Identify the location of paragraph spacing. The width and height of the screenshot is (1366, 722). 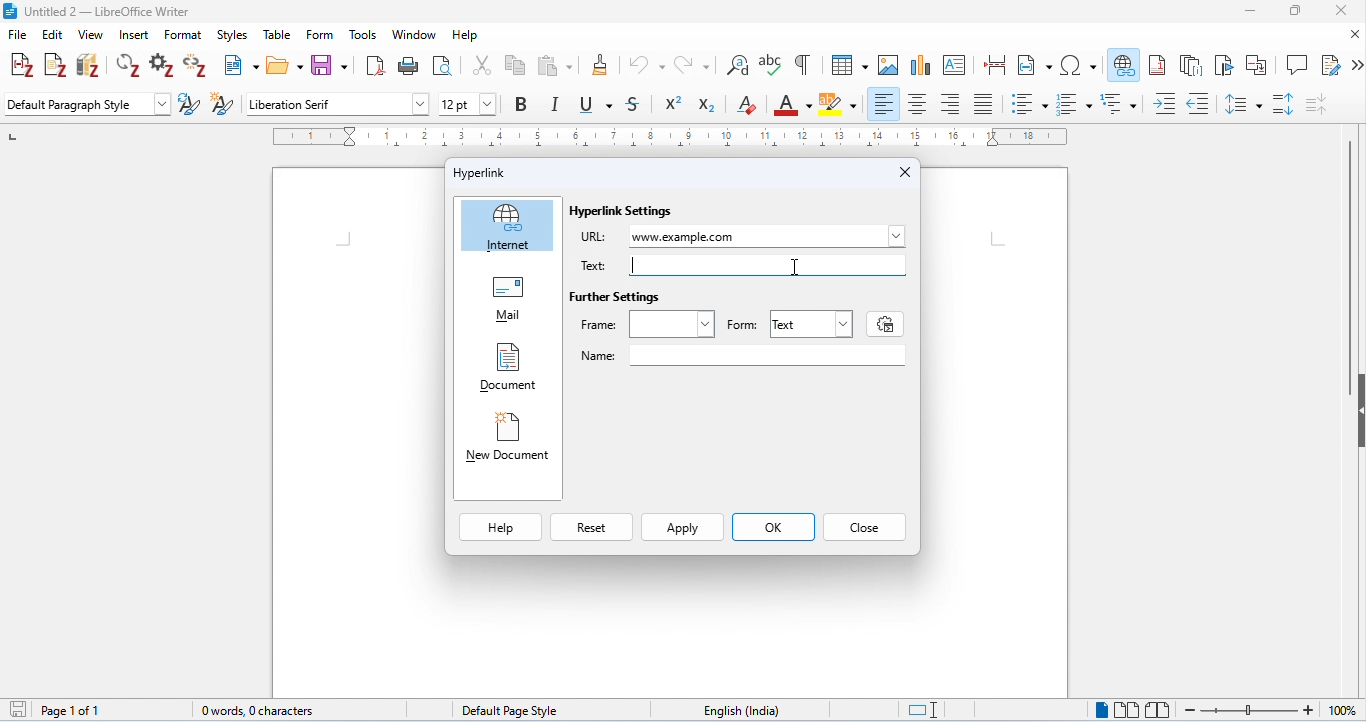
(1285, 104).